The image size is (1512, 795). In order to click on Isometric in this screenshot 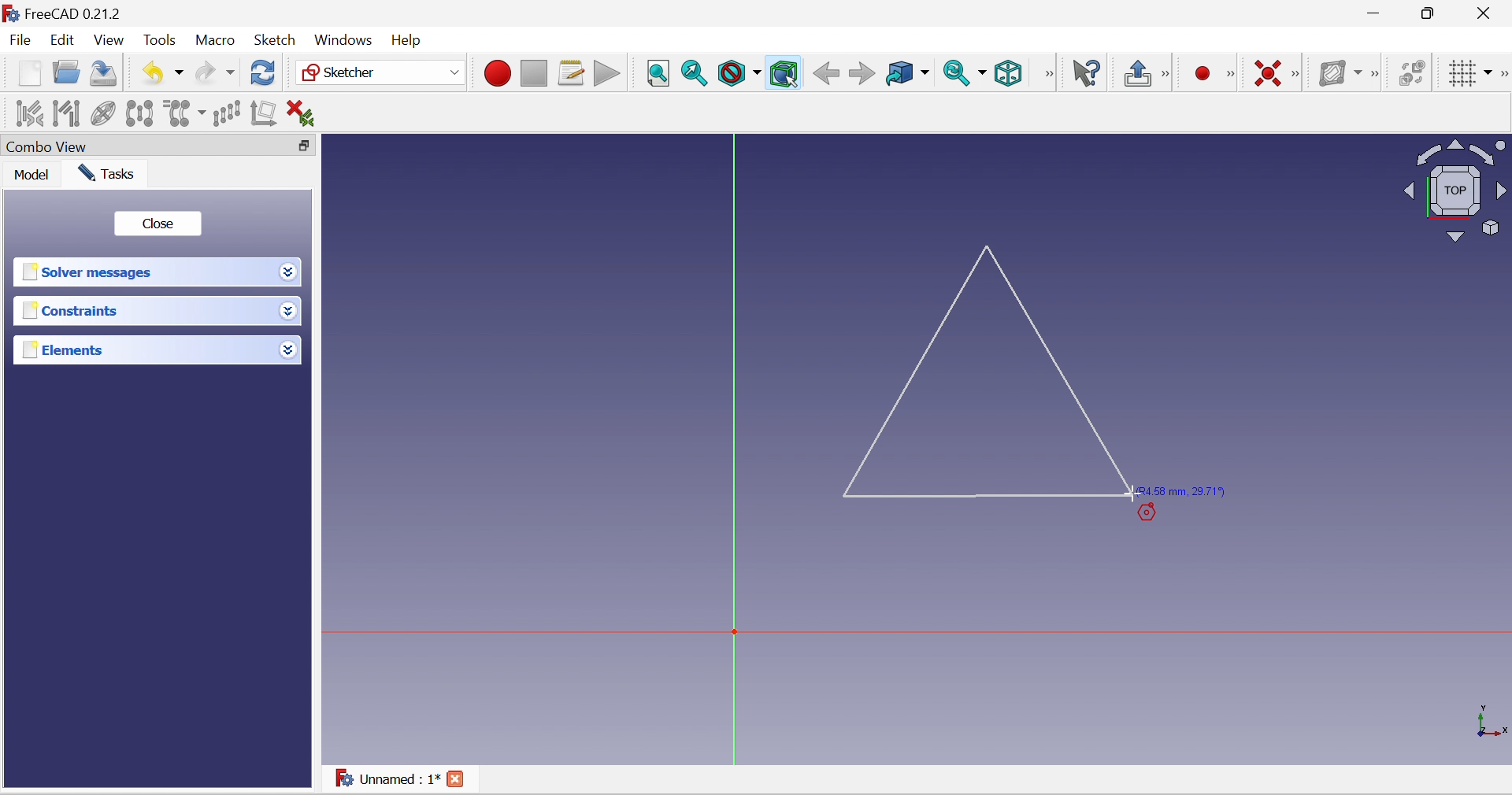, I will do `click(1009, 73)`.